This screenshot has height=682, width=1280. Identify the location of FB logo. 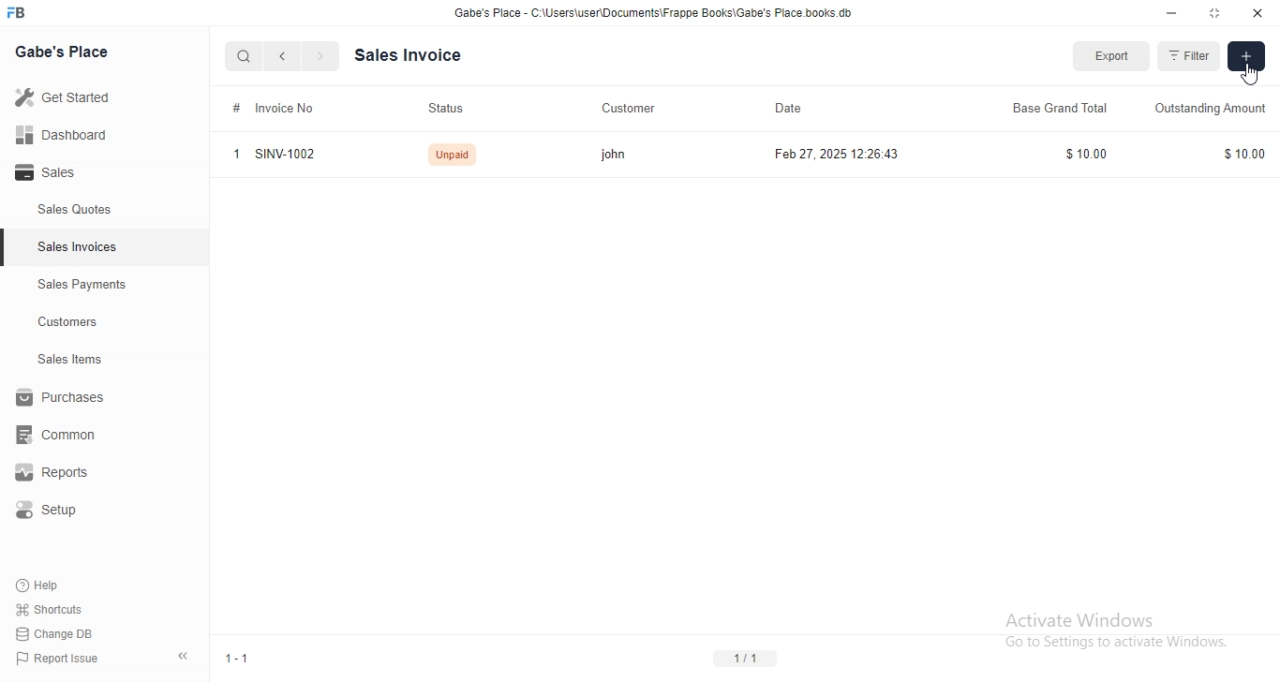
(30, 13).